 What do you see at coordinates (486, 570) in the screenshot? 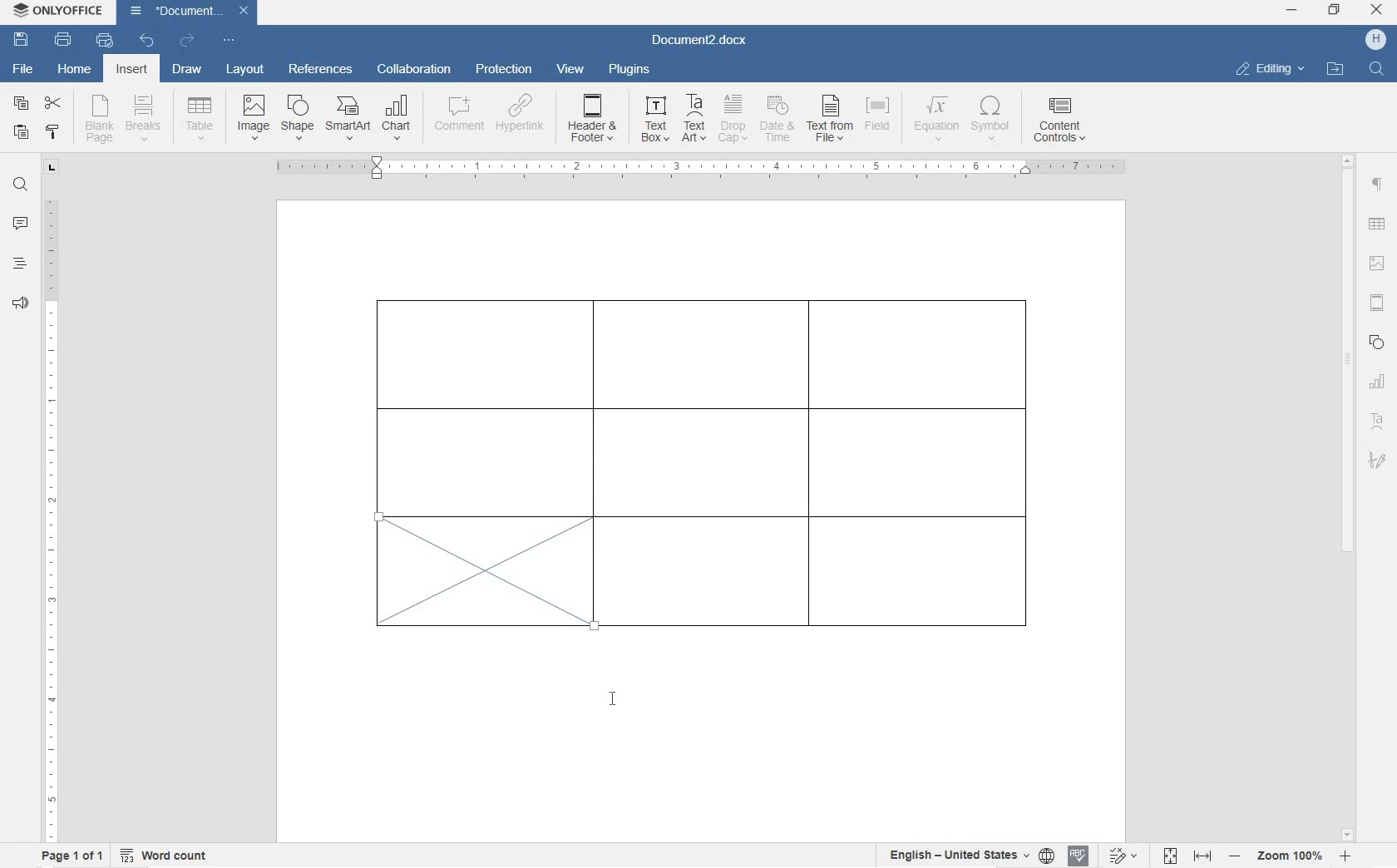
I see `diagonal line borders added` at bounding box center [486, 570].